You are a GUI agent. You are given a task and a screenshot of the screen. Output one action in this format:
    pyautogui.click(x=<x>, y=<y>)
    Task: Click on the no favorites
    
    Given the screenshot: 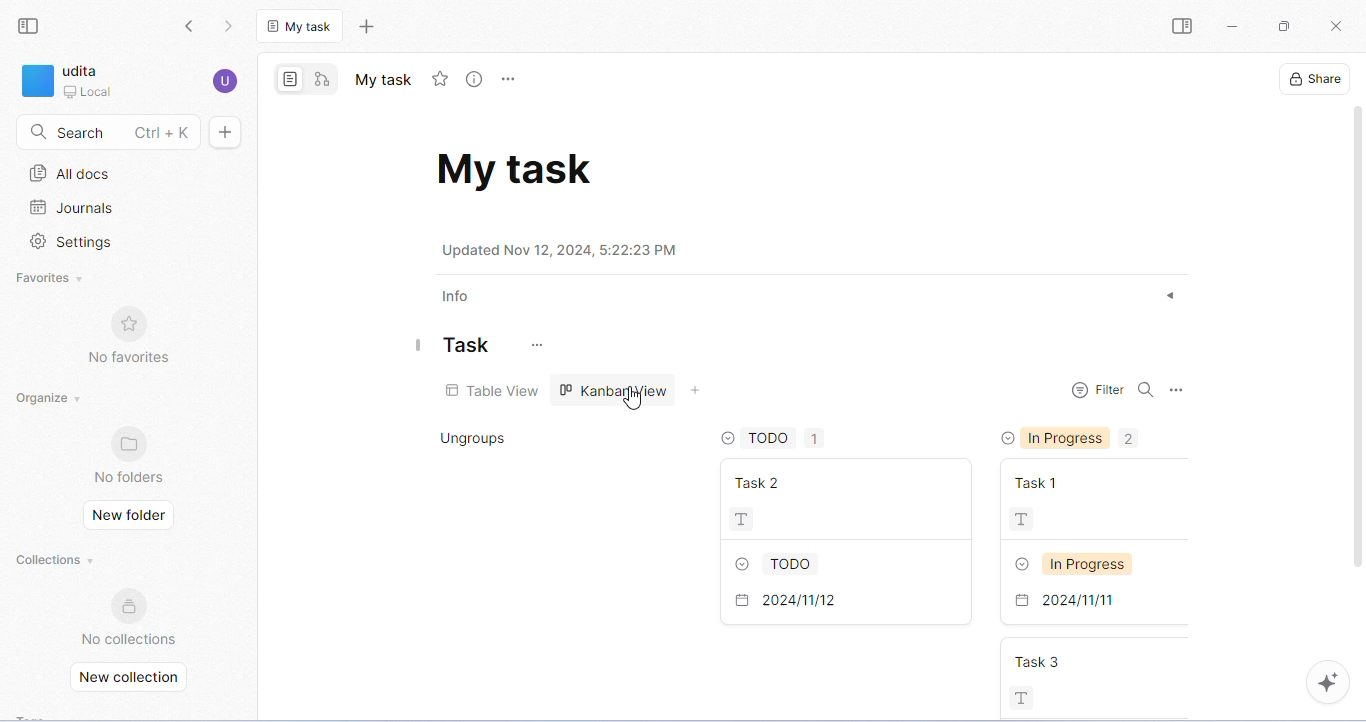 What is the action you would take?
    pyautogui.click(x=131, y=338)
    